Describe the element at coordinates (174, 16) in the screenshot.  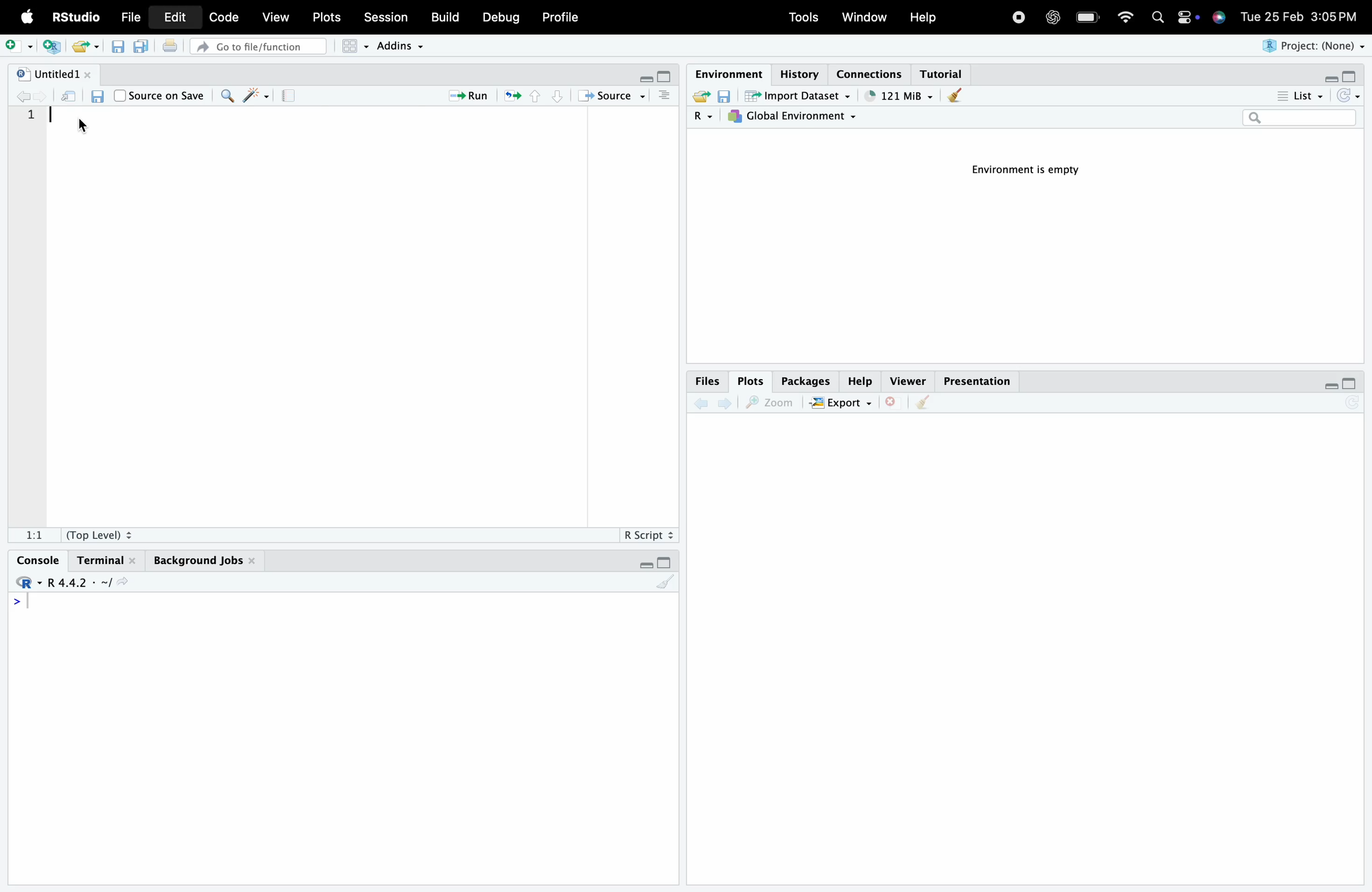
I see `Edit` at that location.